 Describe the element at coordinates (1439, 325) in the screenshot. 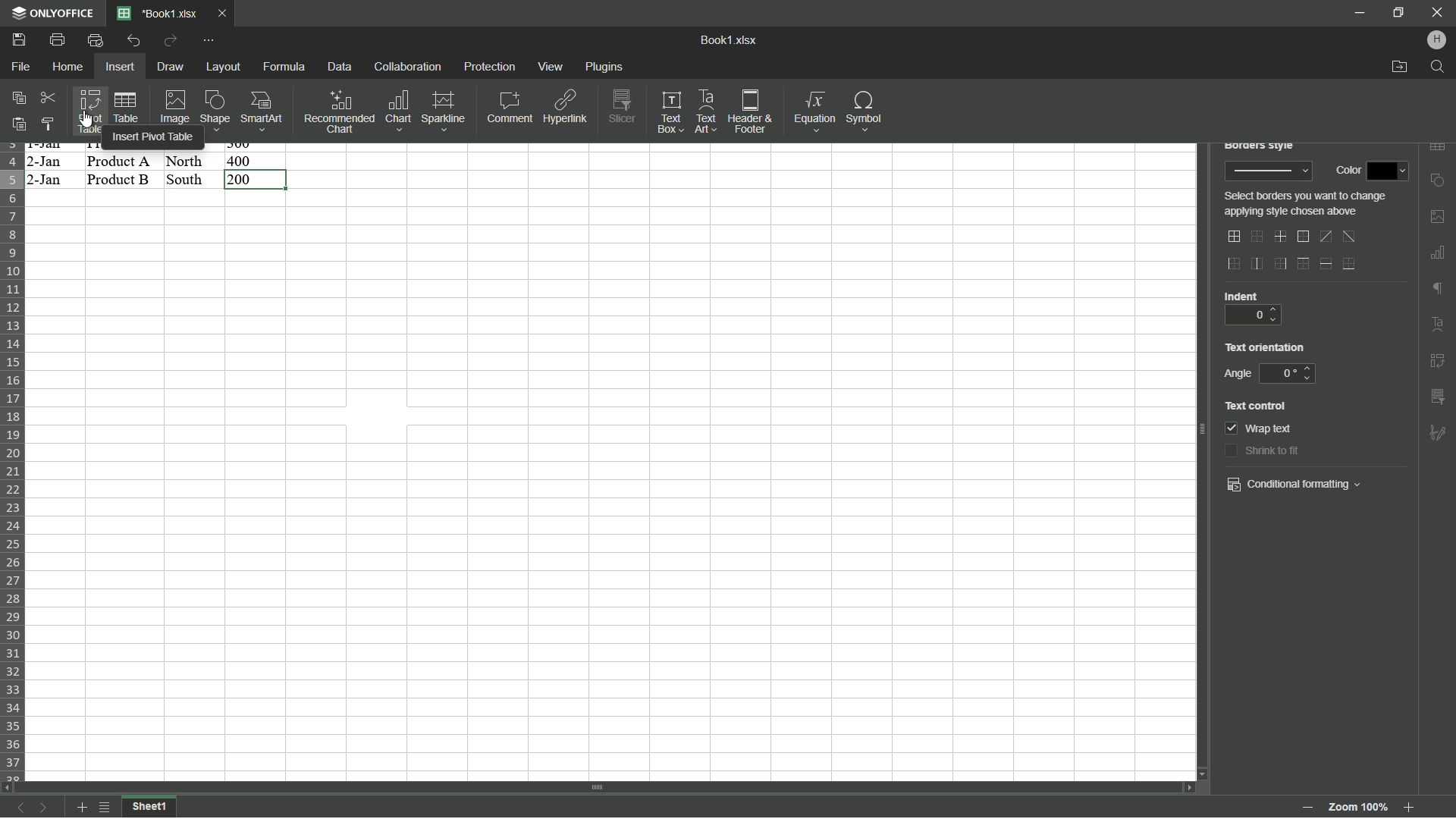

I see `text art` at that location.